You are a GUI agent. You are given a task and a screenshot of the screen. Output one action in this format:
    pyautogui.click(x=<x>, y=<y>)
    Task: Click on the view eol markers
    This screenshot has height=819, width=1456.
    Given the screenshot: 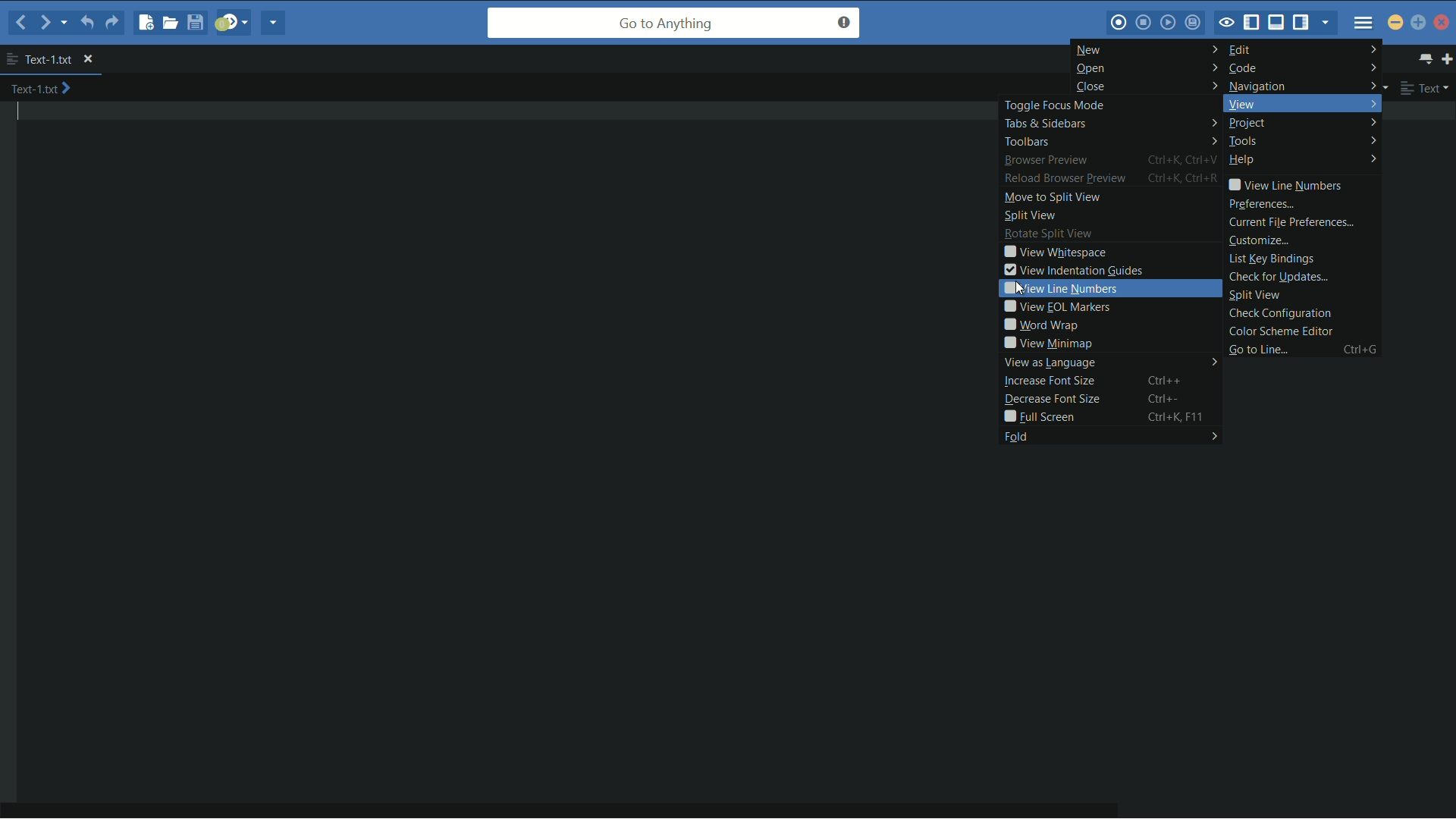 What is the action you would take?
    pyautogui.click(x=1059, y=306)
    